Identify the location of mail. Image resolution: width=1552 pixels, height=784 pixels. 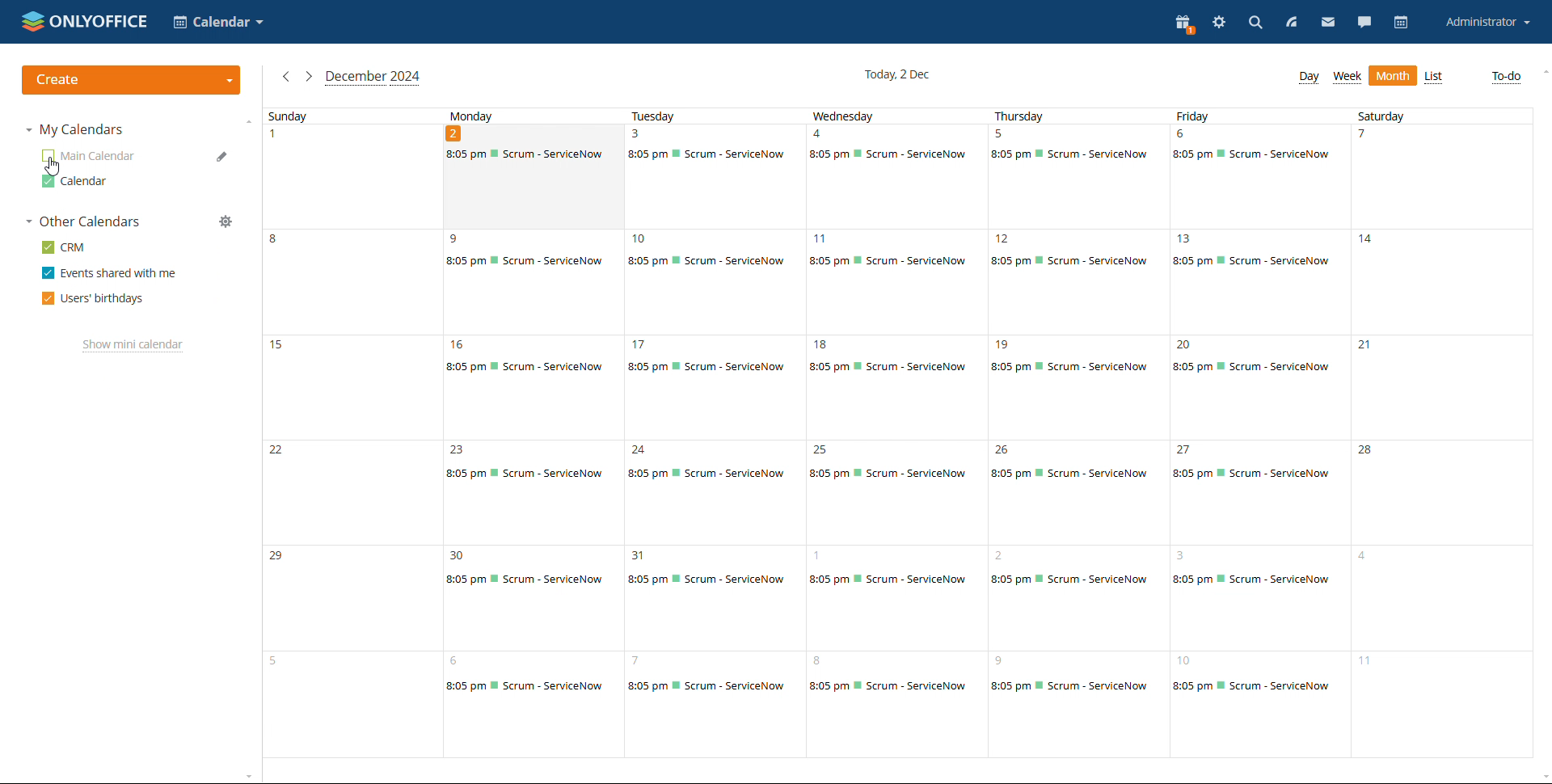
(1327, 24).